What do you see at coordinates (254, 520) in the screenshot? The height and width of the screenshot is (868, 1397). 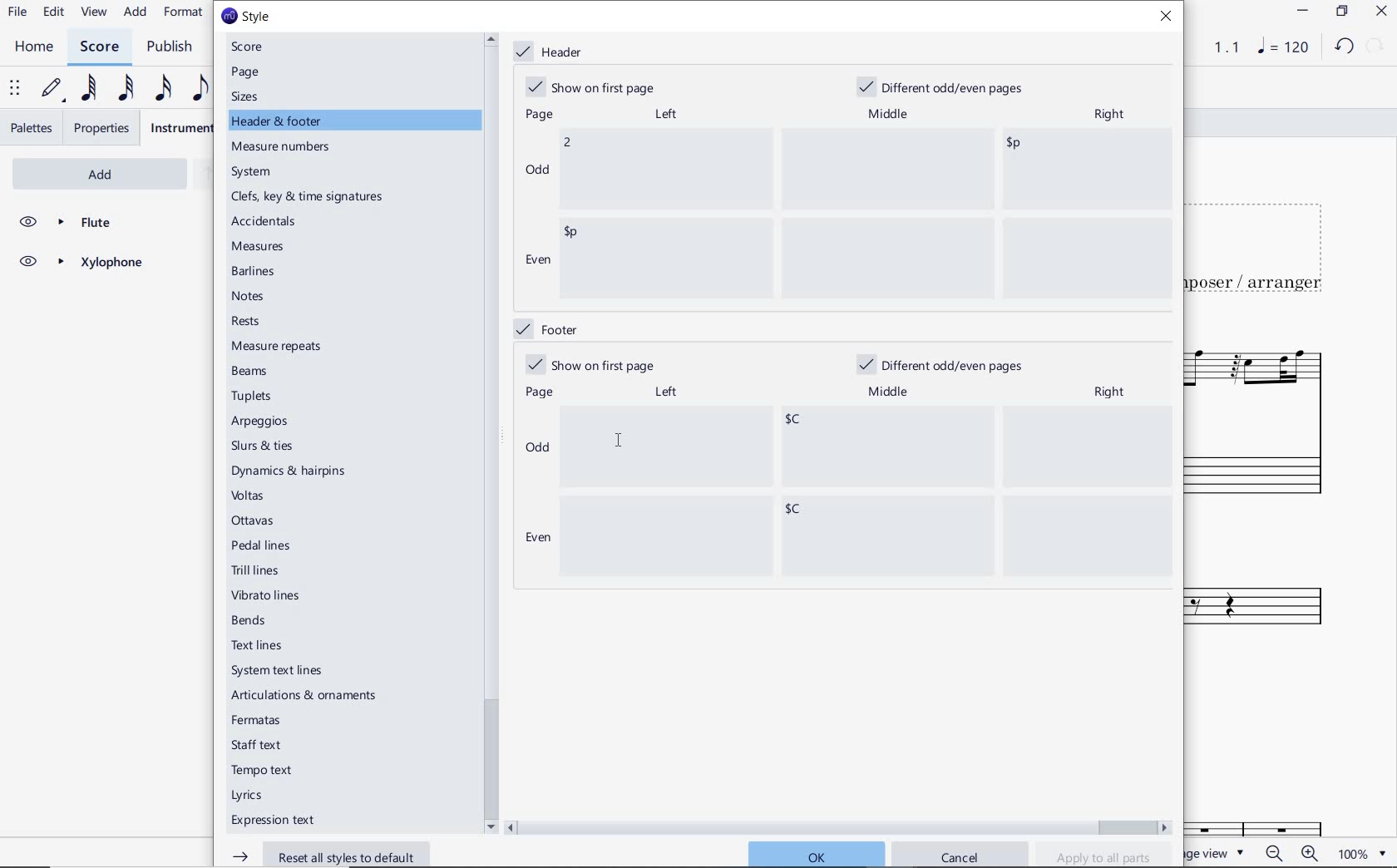 I see `ottavas` at bounding box center [254, 520].